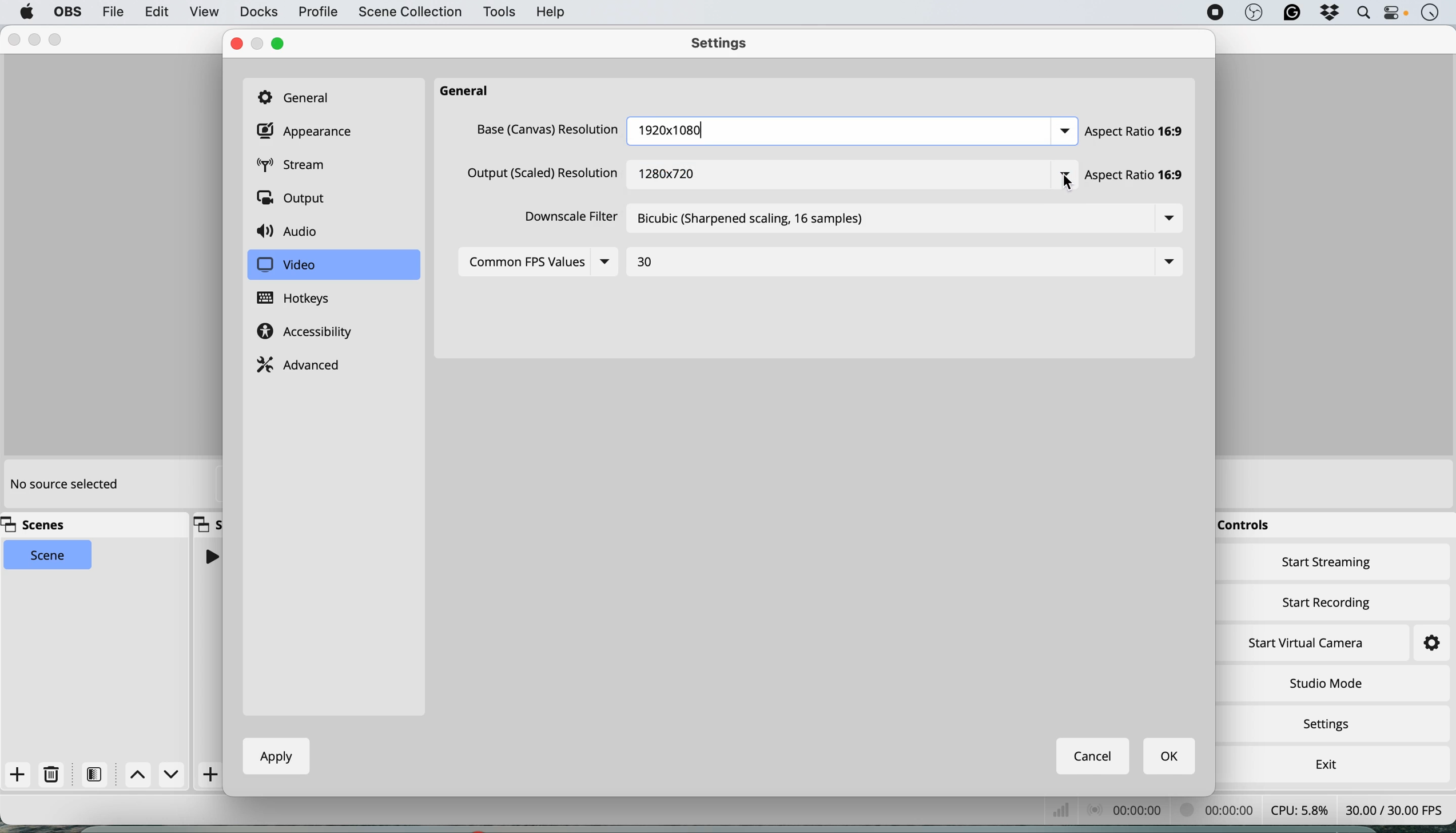  What do you see at coordinates (1143, 178) in the screenshot?
I see `aspect ratio` at bounding box center [1143, 178].